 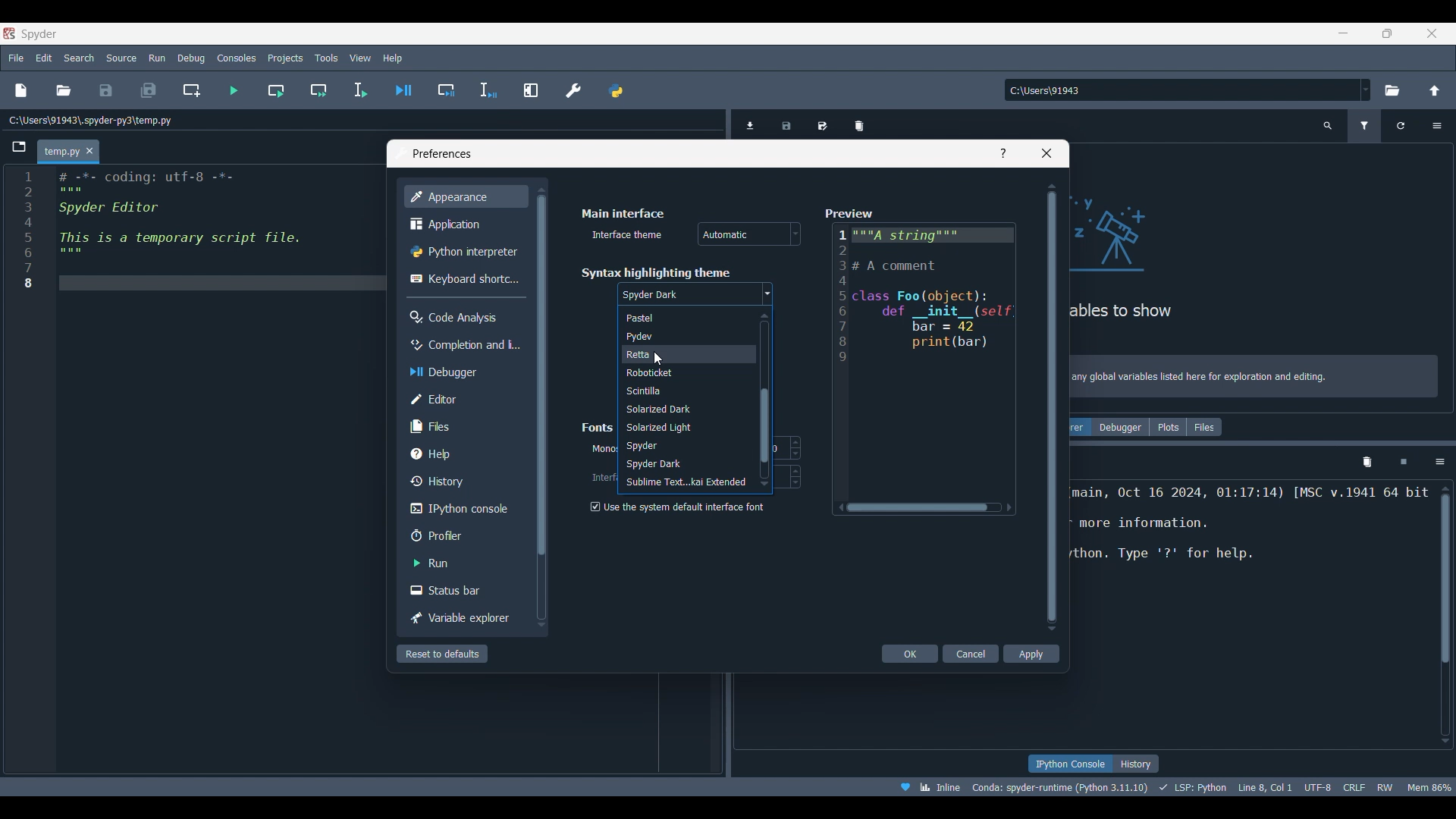 What do you see at coordinates (1195, 786) in the screenshot?
I see `programming language` at bounding box center [1195, 786].